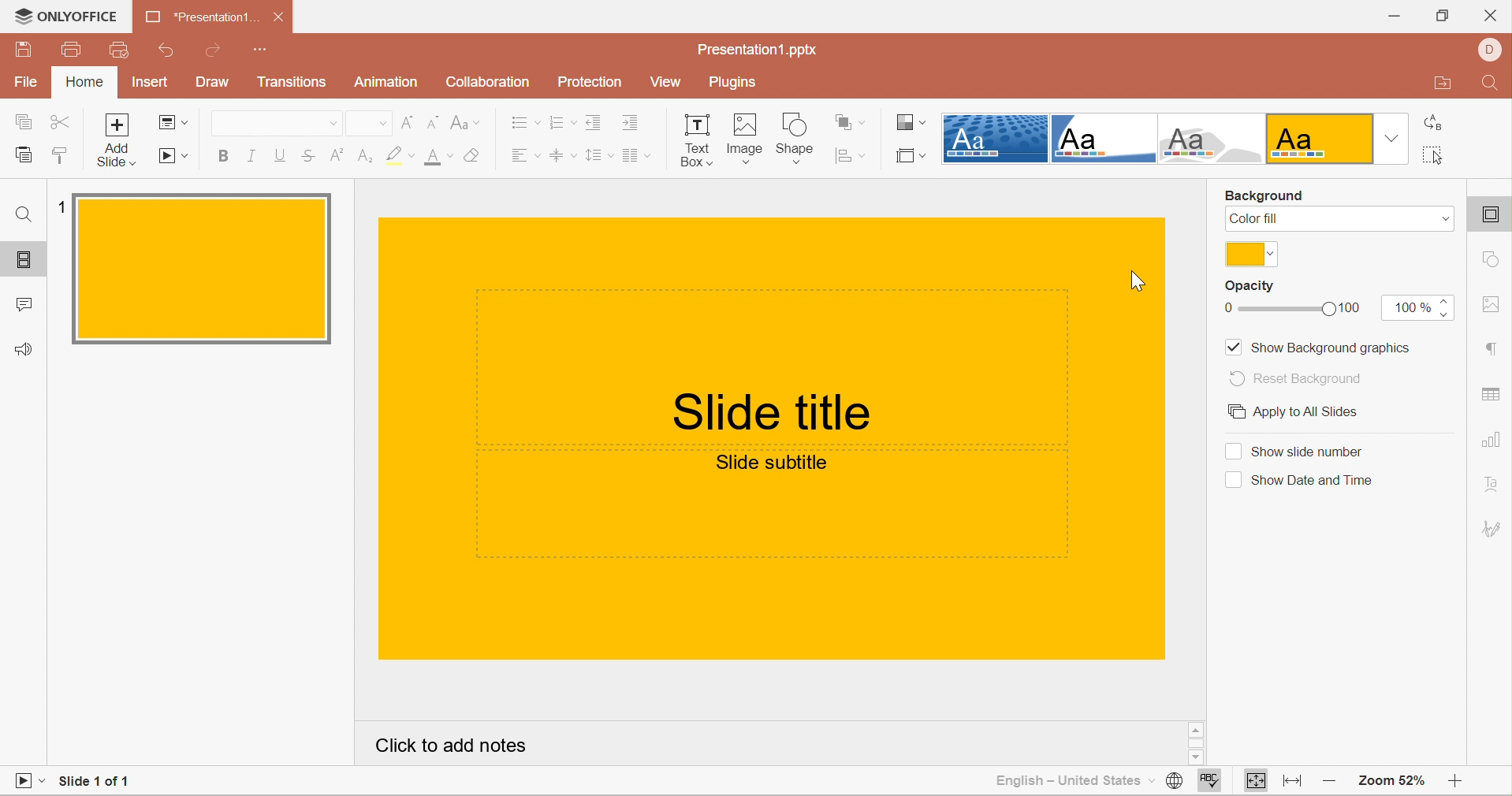 Image resolution: width=1512 pixels, height=796 pixels. Describe the element at coordinates (666, 82) in the screenshot. I see `View` at that location.